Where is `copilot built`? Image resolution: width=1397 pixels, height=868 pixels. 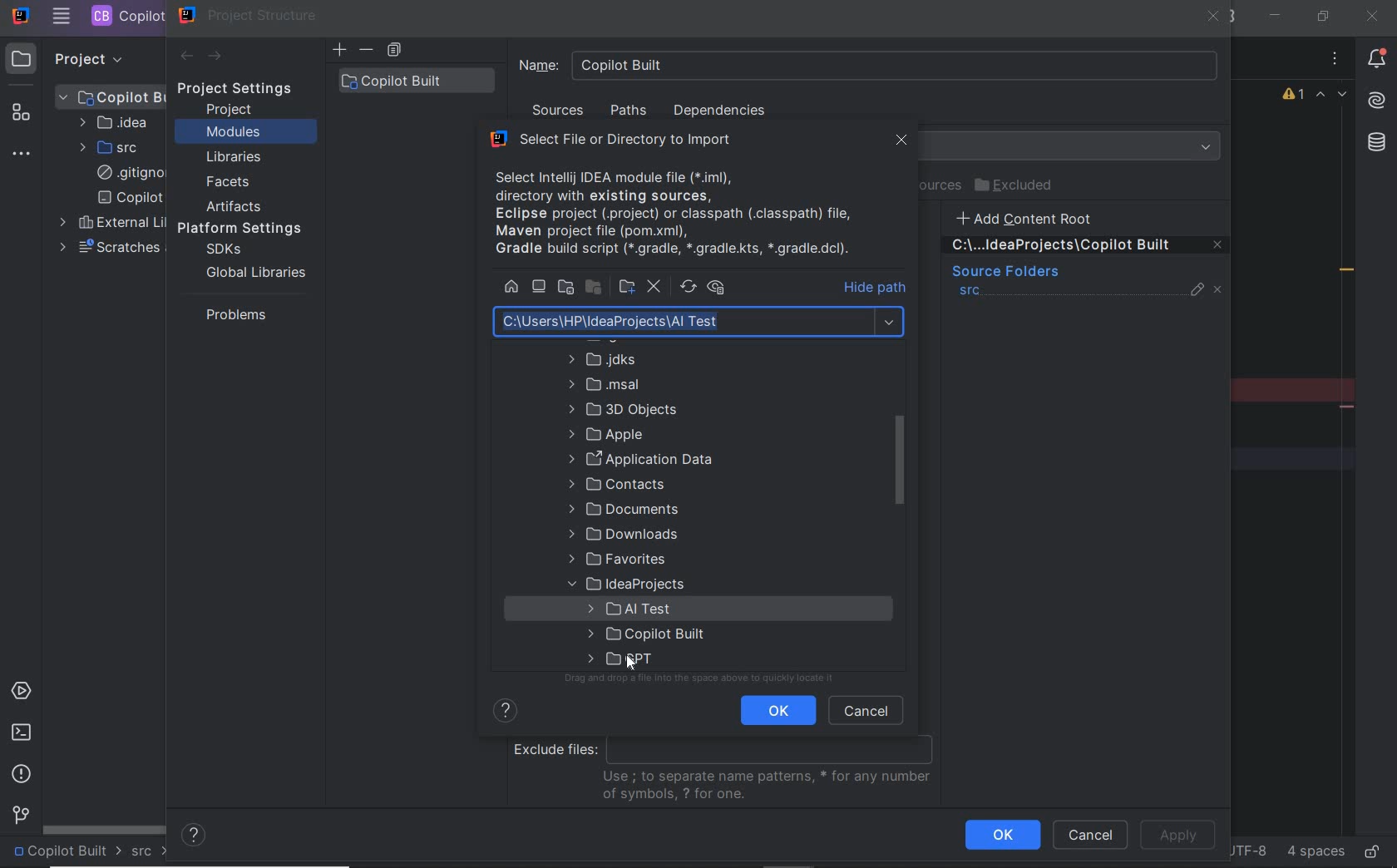
copilot built is located at coordinates (417, 80).